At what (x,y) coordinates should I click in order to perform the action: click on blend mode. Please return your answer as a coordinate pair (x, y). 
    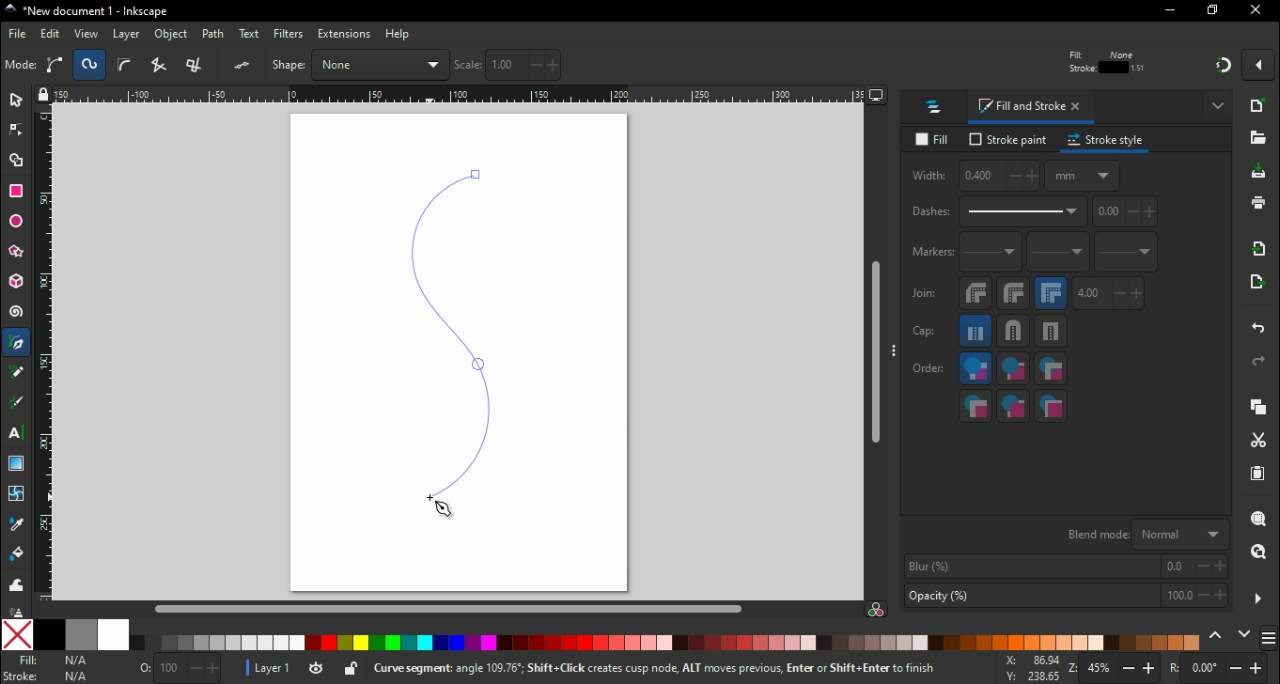
    Looking at the image, I should click on (1146, 535).